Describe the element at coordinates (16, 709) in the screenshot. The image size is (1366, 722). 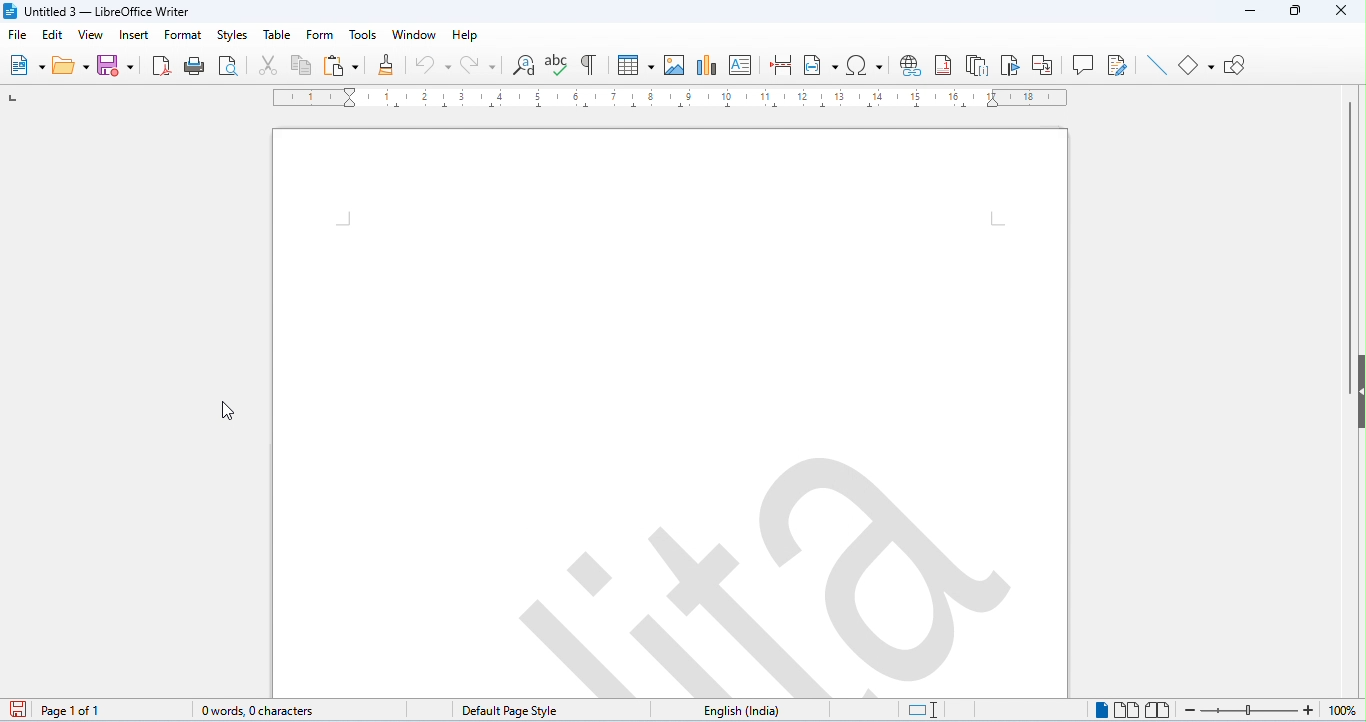
I see `save` at that location.